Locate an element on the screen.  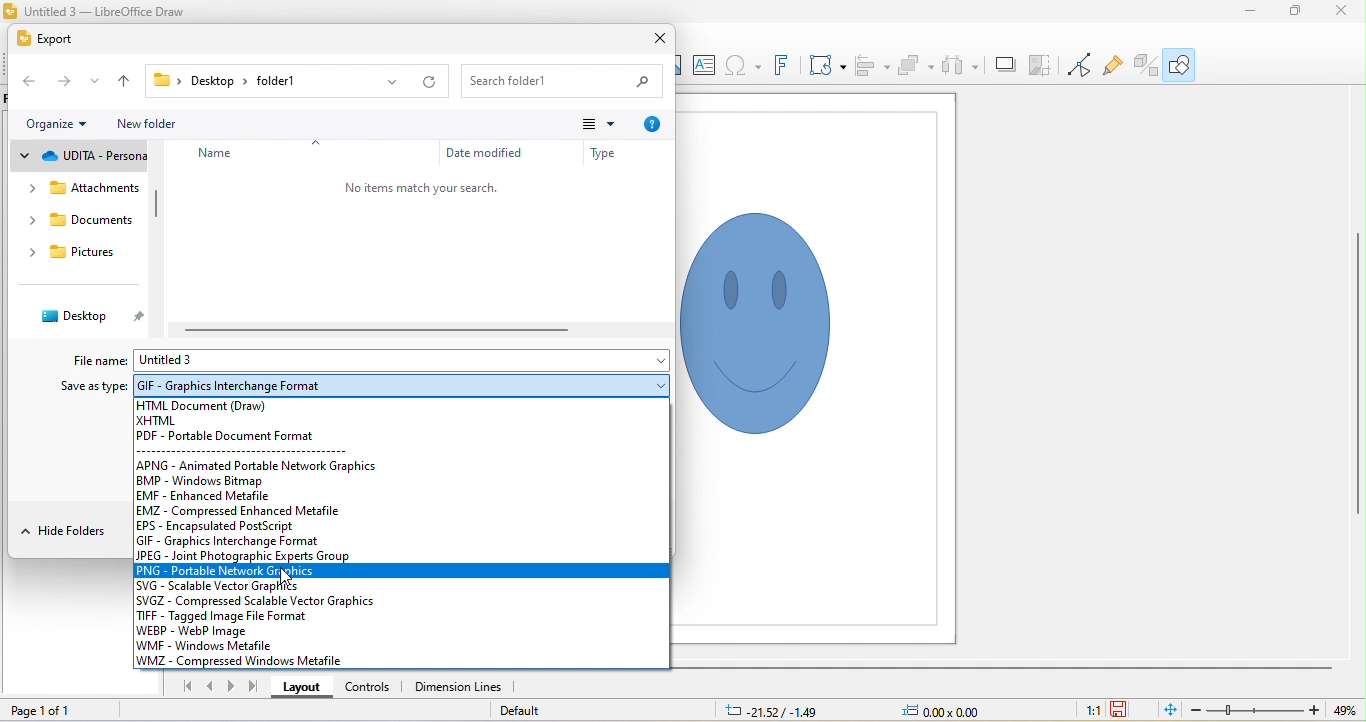
WMZ- compressed windows metafile is located at coordinates (252, 662).